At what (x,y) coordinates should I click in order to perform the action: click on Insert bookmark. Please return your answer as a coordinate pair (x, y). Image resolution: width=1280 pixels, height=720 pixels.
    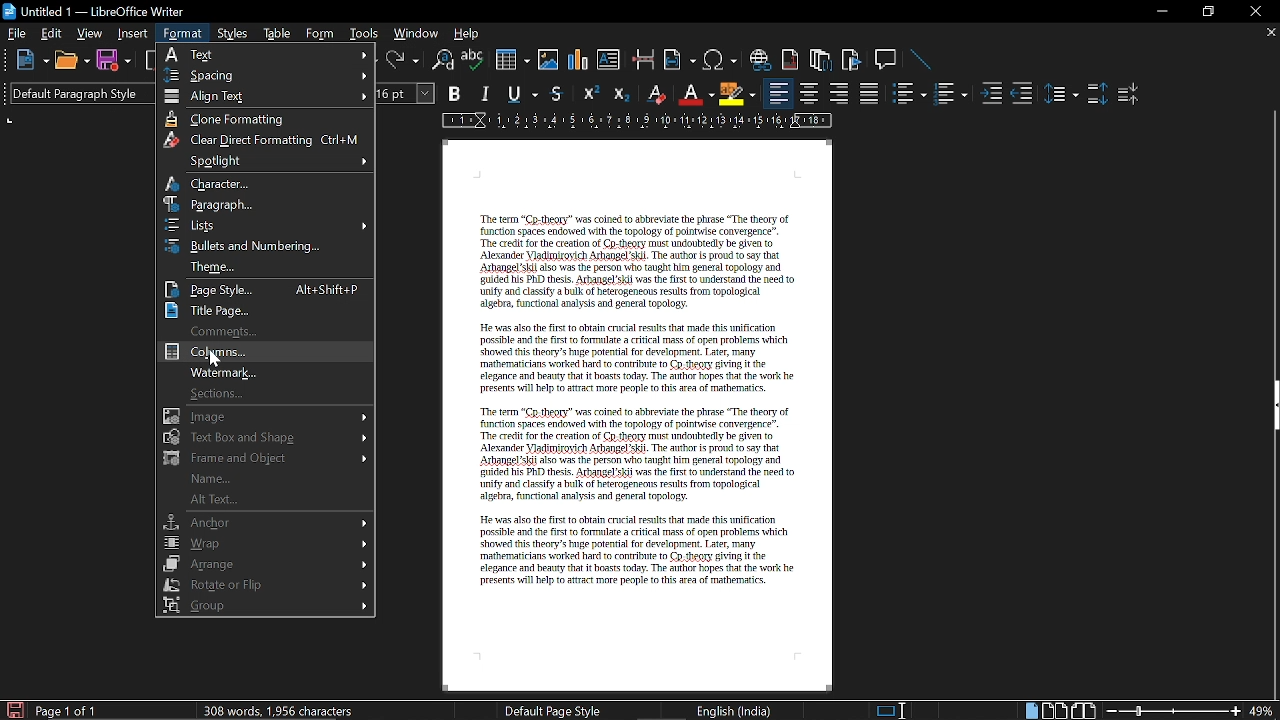
    Looking at the image, I should click on (853, 61).